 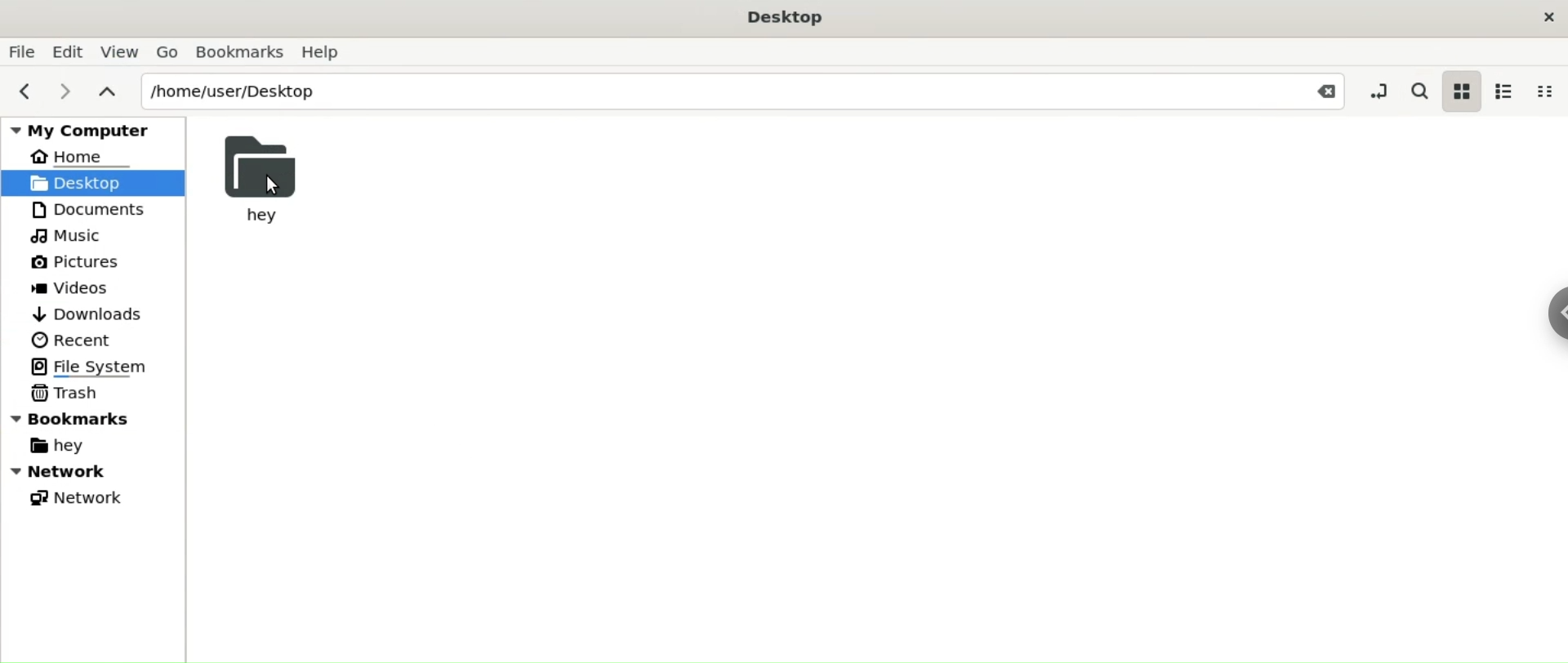 What do you see at coordinates (794, 20) in the screenshot?
I see `Desktop` at bounding box center [794, 20].